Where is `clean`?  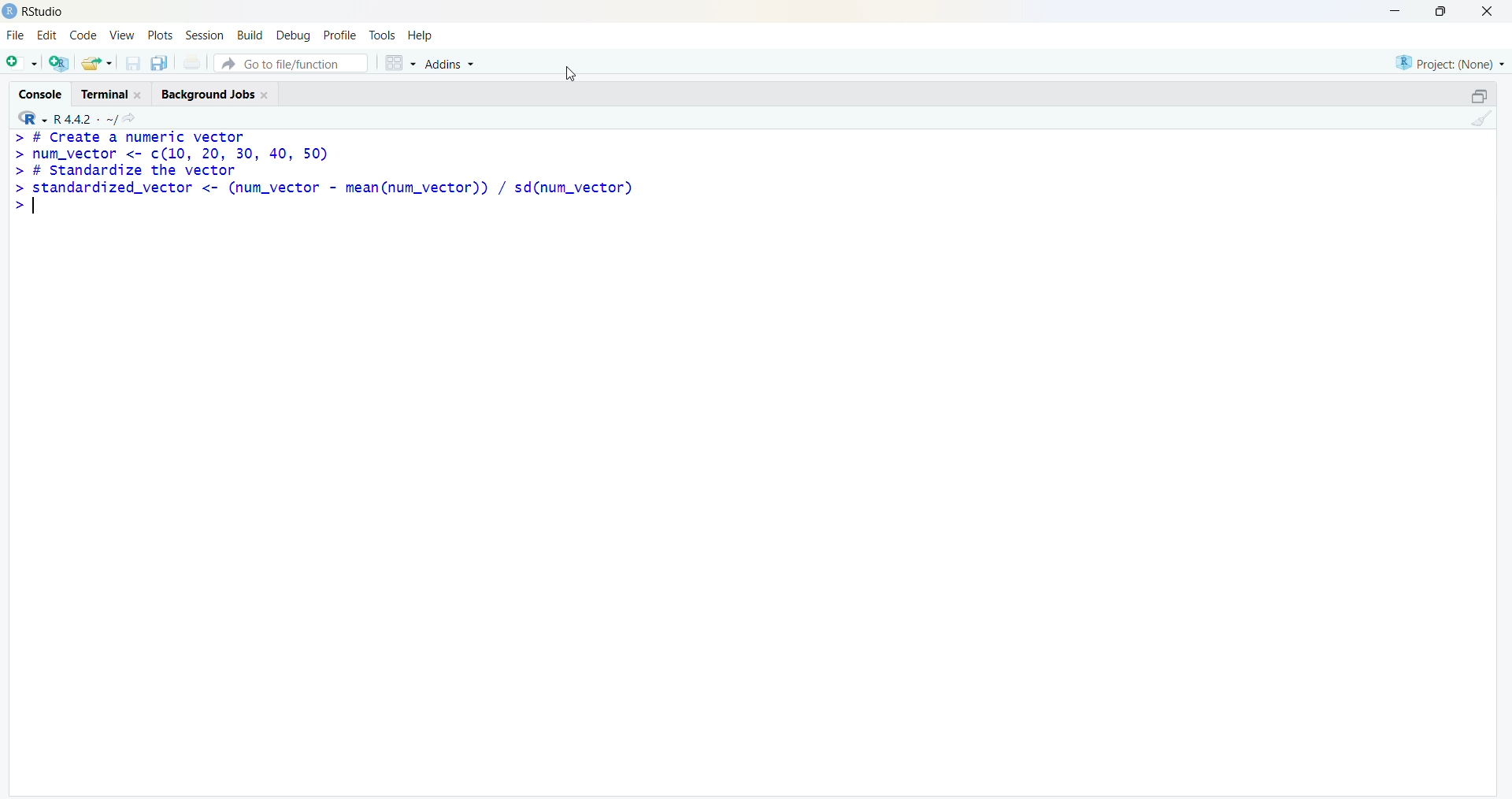 clean is located at coordinates (1482, 118).